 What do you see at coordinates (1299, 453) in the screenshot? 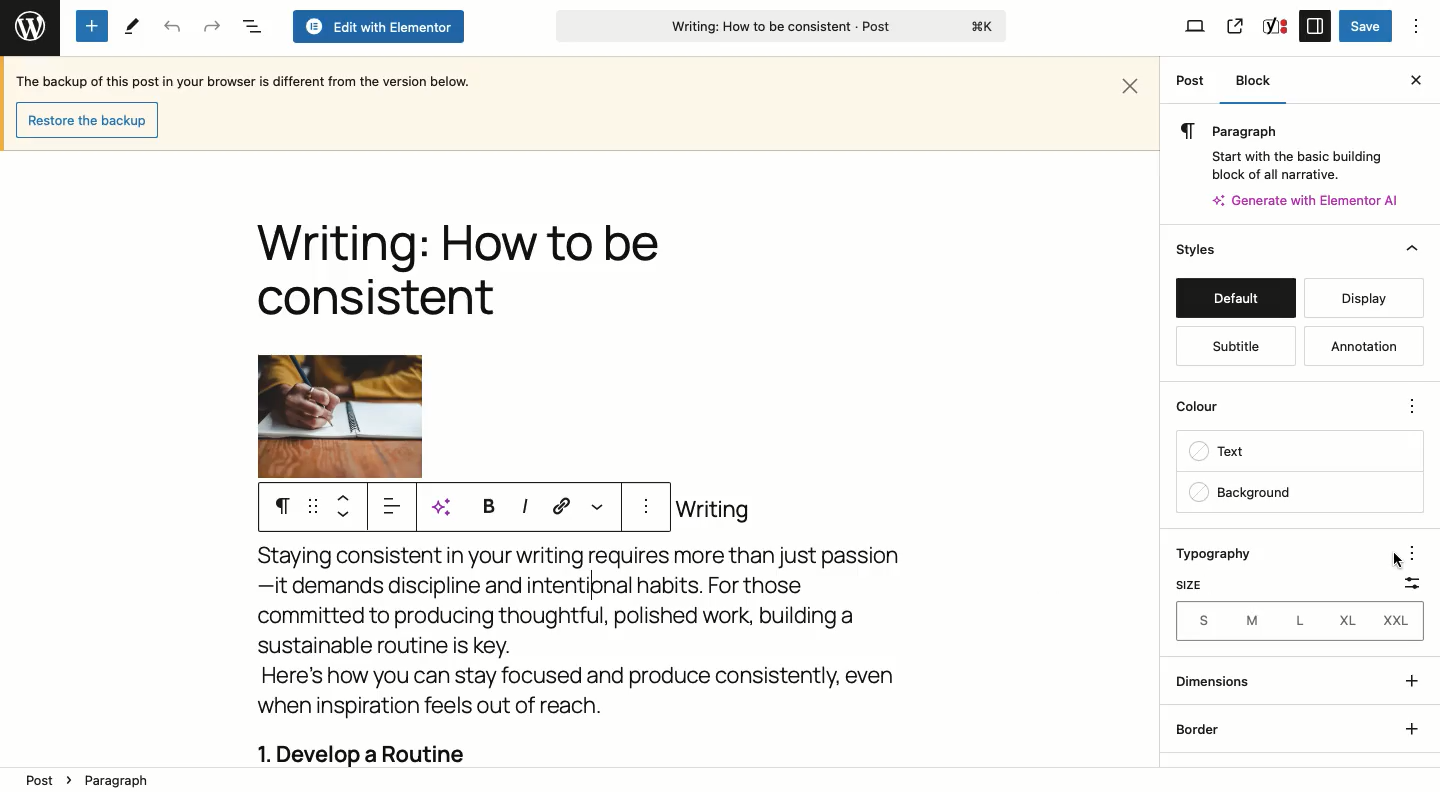
I see `Text` at bounding box center [1299, 453].